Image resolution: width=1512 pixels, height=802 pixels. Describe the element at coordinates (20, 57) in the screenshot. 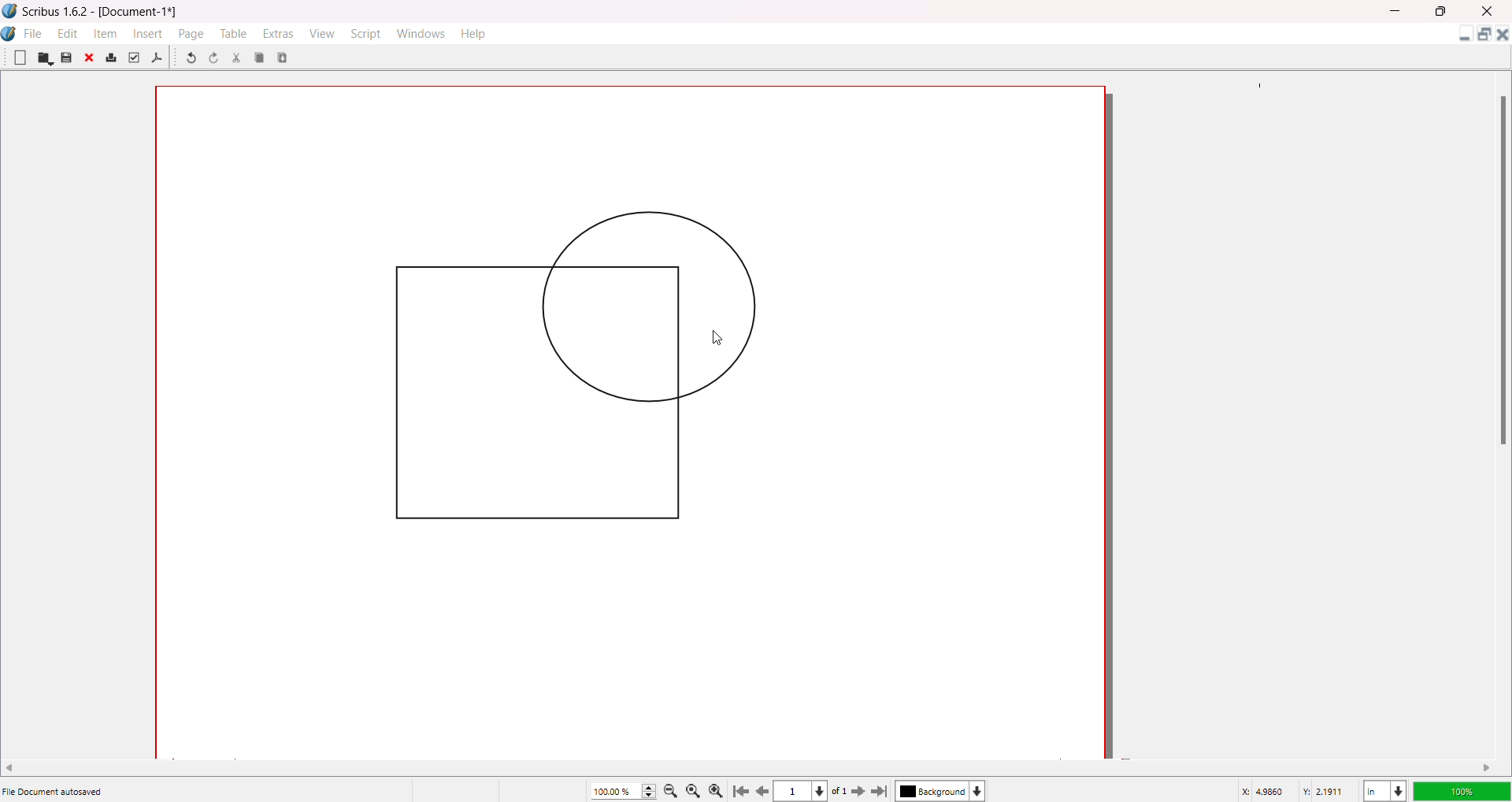

I see `New` at that location.